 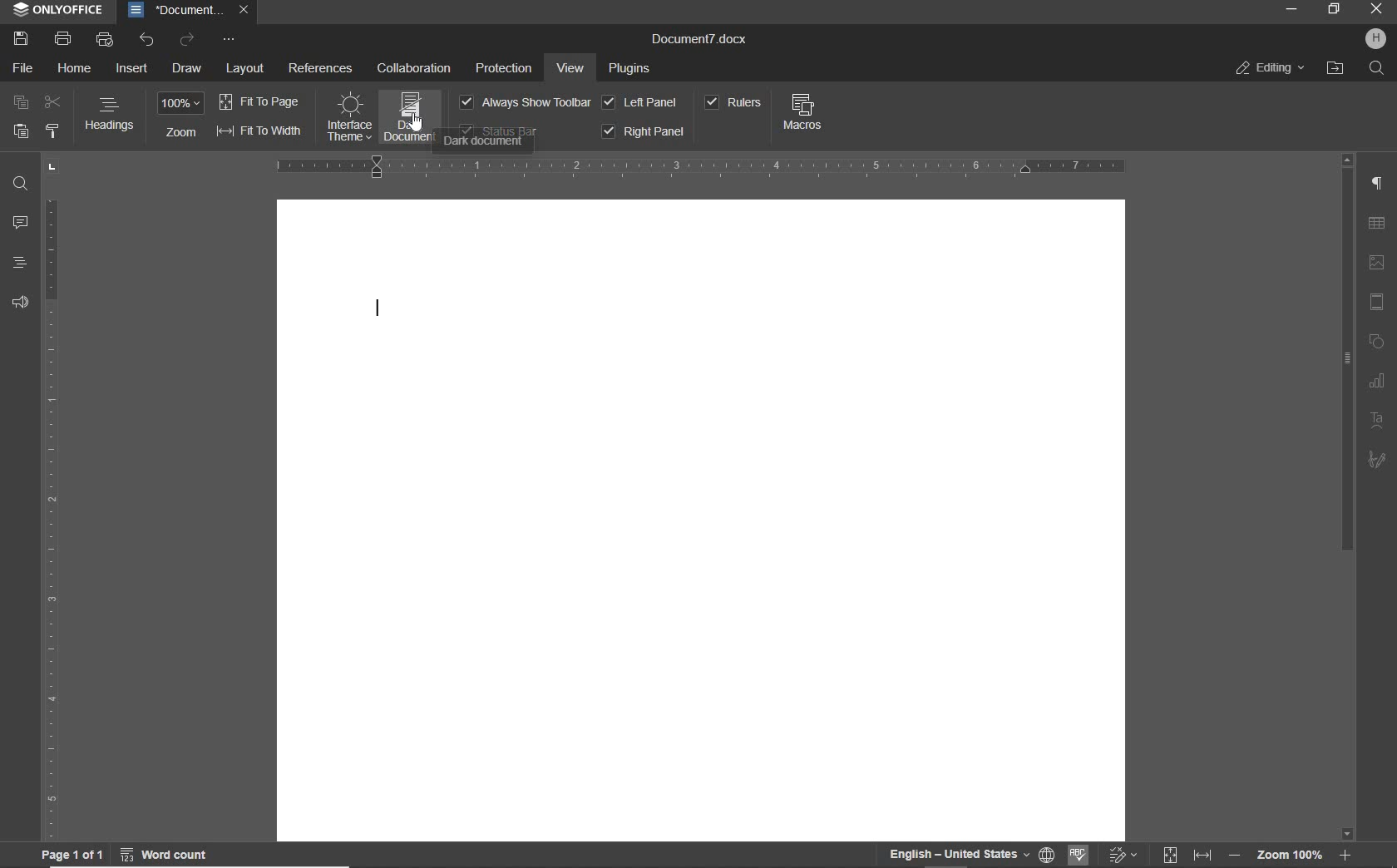 What do you see at coordinates (1374, 40) in the screenshot?
I see `HP` at bounding box center [1374, 40].